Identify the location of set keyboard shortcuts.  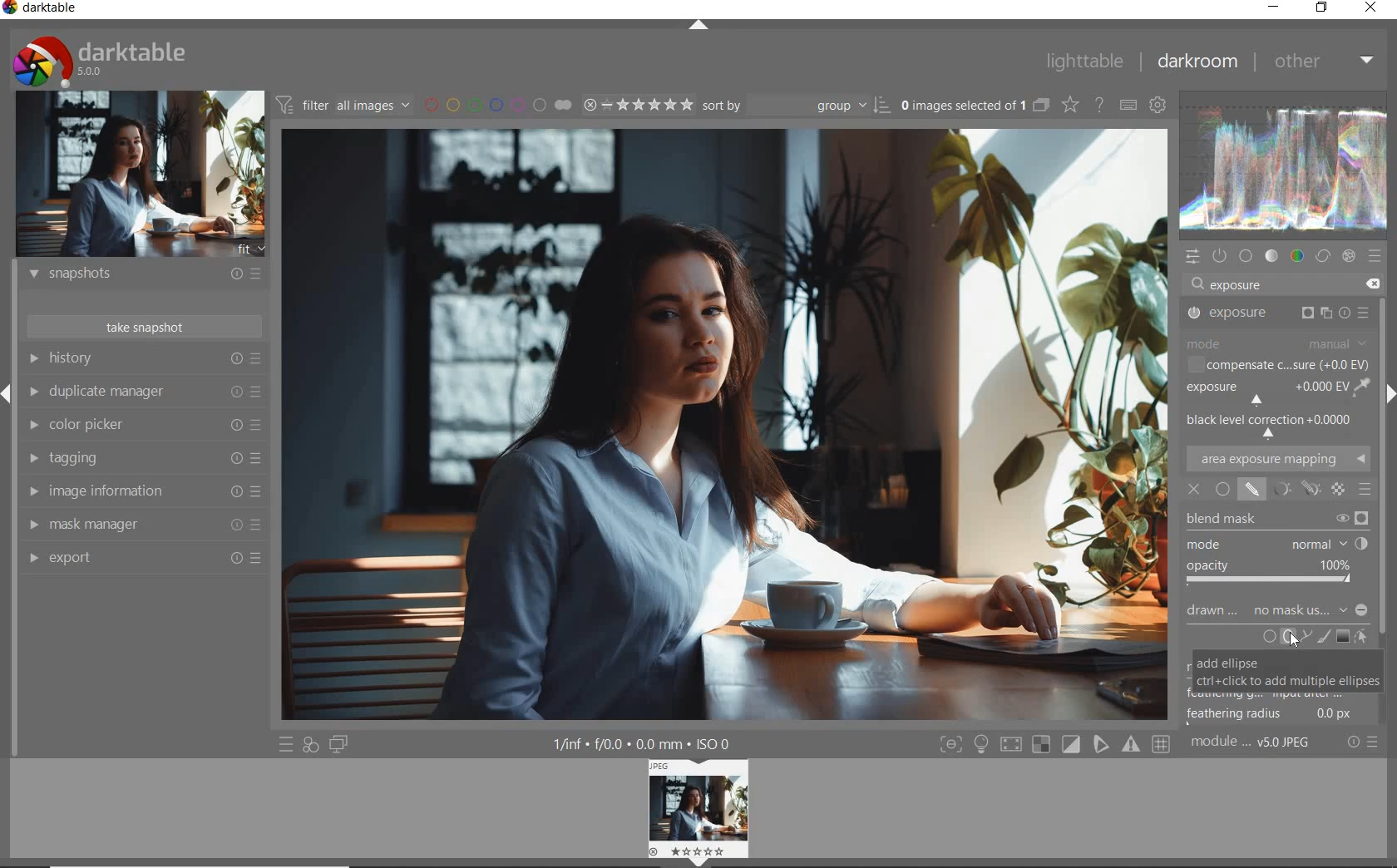
(1127, 105).